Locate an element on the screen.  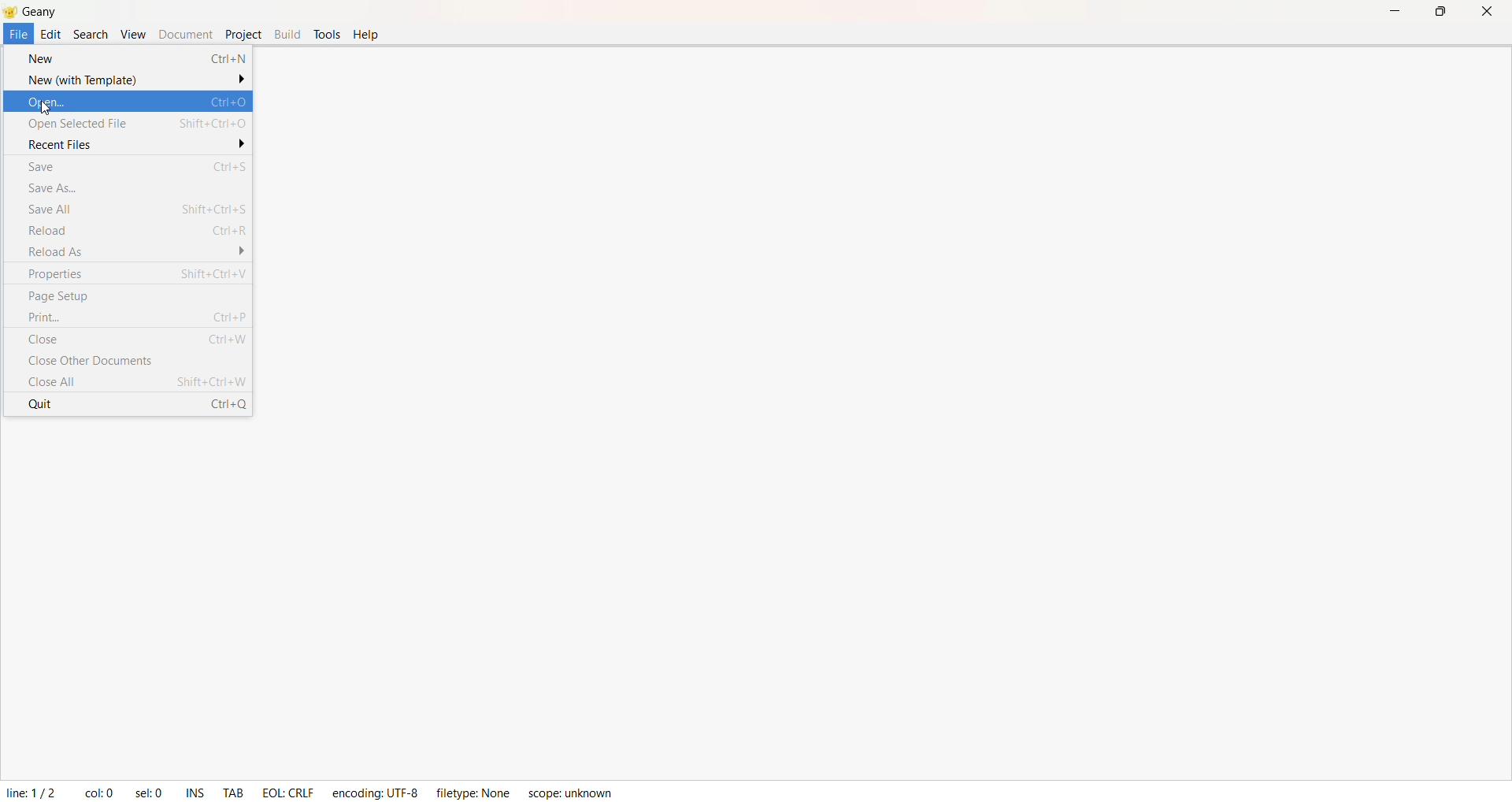
col: 0 is located at coordinates (94, 793).